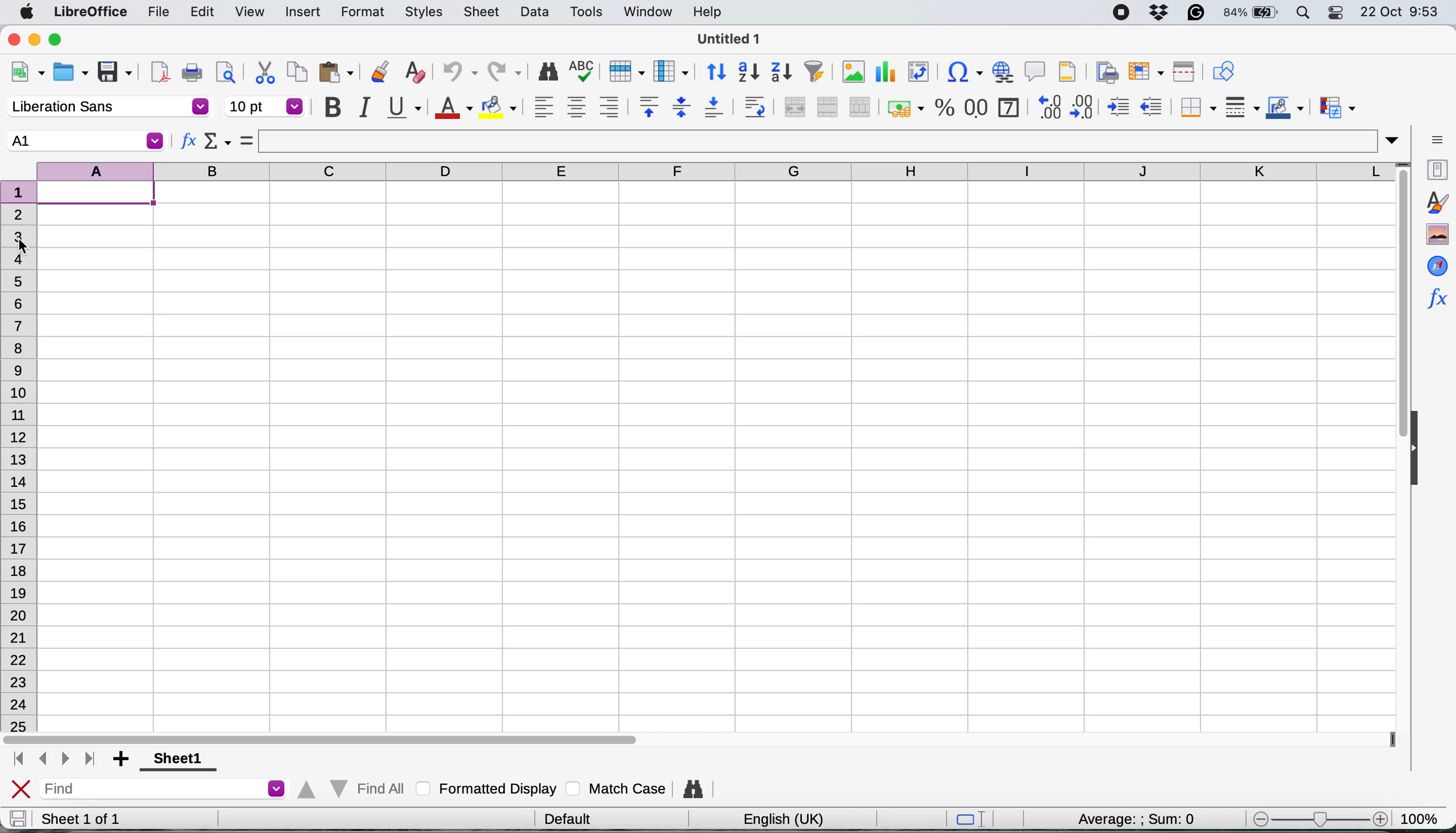 The width and height of the screenshot is (1456, 833). I want to click on text color, so click(452, 108).